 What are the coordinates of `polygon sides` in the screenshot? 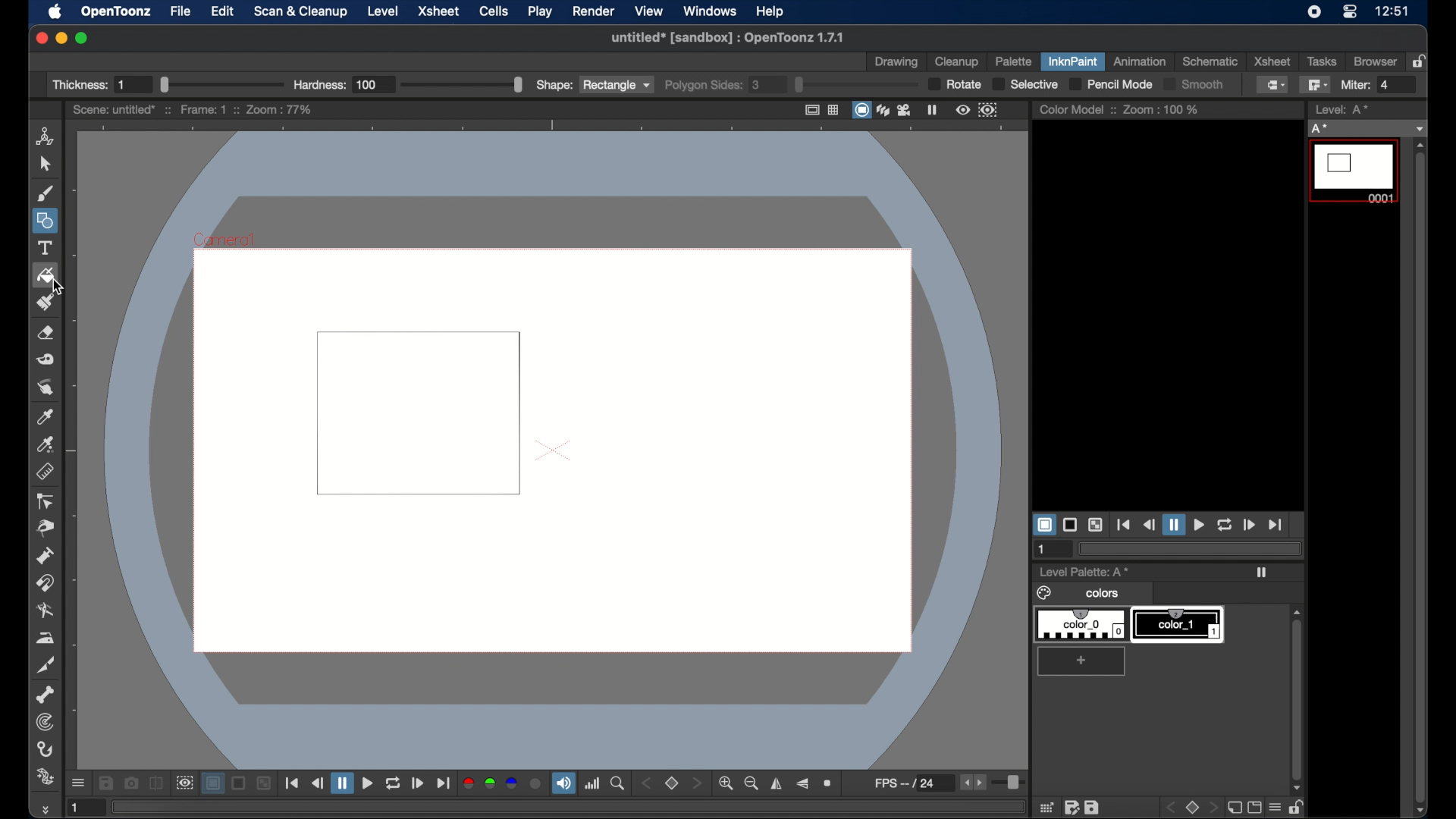 It's located at (789, 85).